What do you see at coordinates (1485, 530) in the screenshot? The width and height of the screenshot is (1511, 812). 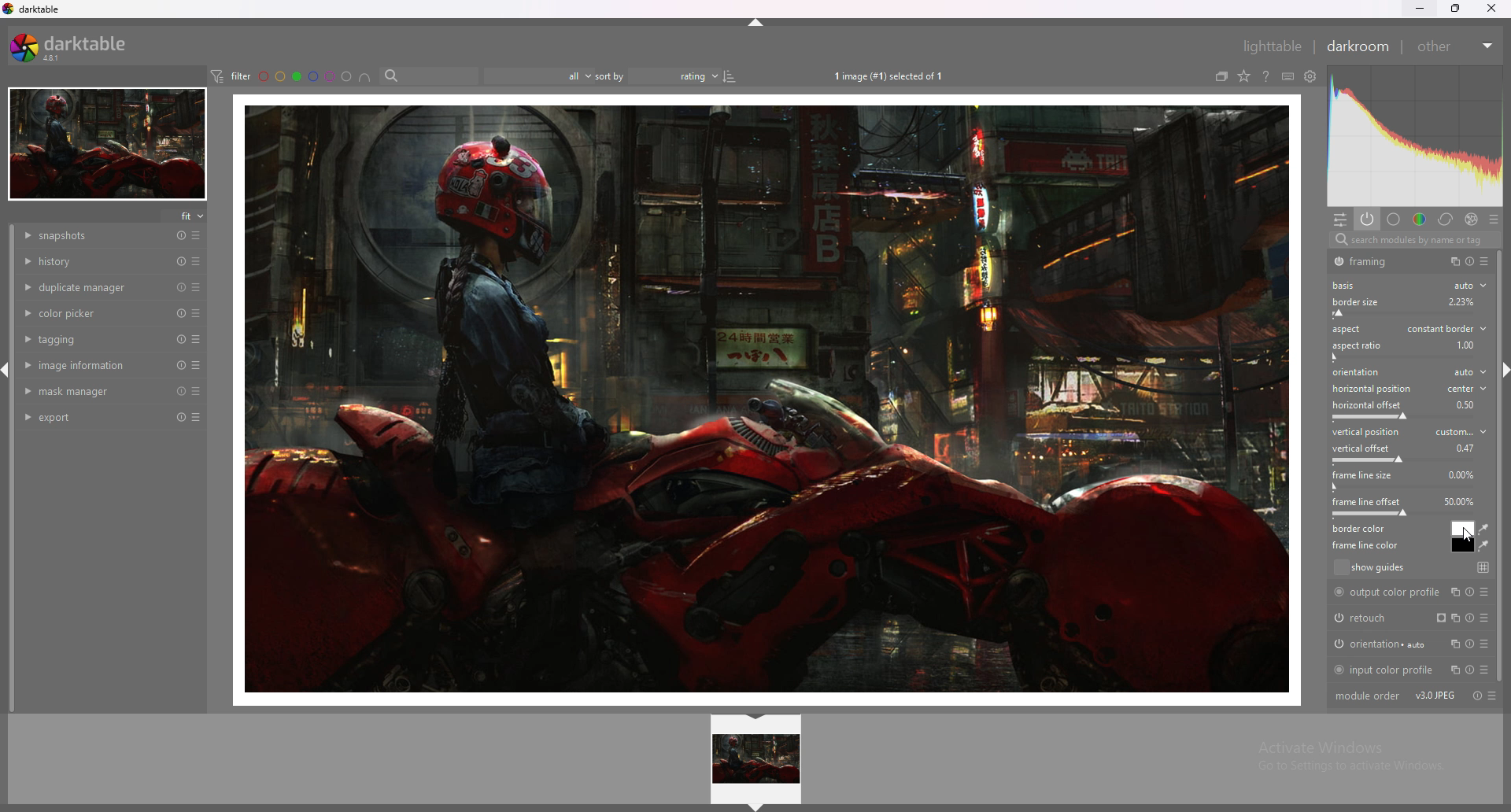 I see `waterdrop` at bounding box center [1485, 530].